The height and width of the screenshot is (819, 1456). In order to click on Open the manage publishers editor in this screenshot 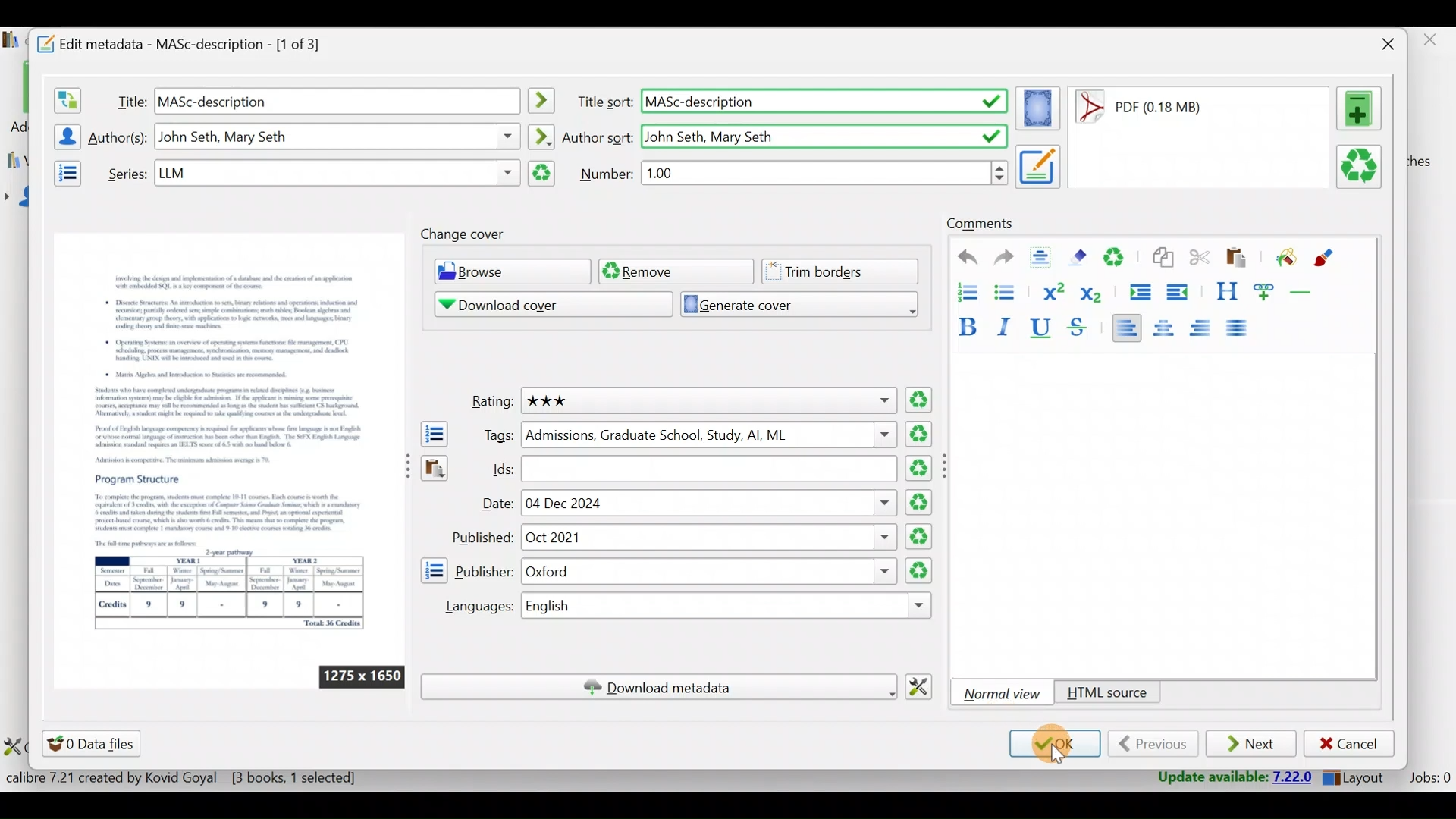, I will do `click(433, 570)`.